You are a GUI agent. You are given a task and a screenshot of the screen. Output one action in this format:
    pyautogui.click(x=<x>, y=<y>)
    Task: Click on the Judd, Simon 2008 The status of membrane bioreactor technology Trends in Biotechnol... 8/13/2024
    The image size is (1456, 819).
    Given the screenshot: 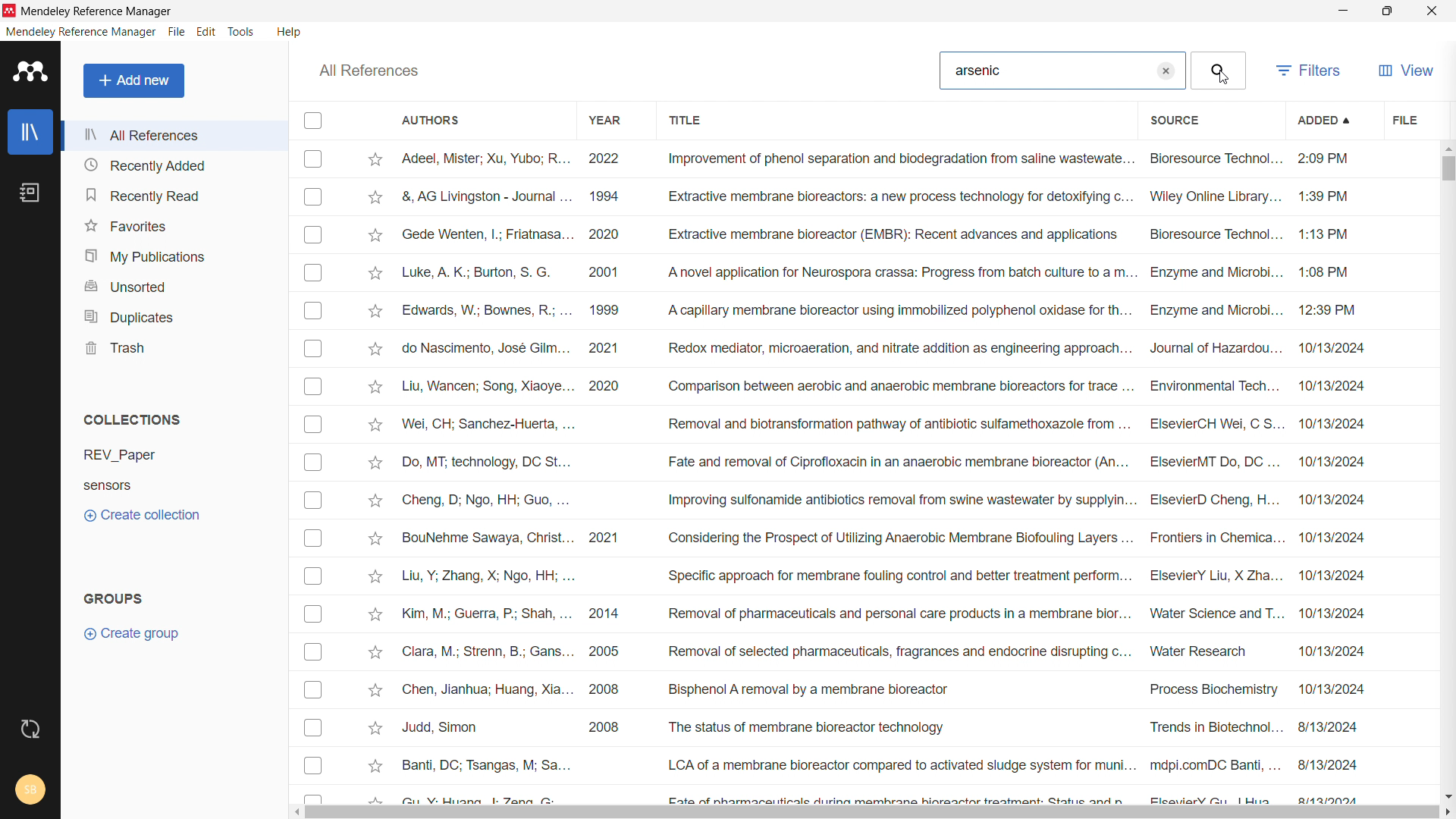 What is the action you would take?
    pyautogui.click(x=877, y=726)
    